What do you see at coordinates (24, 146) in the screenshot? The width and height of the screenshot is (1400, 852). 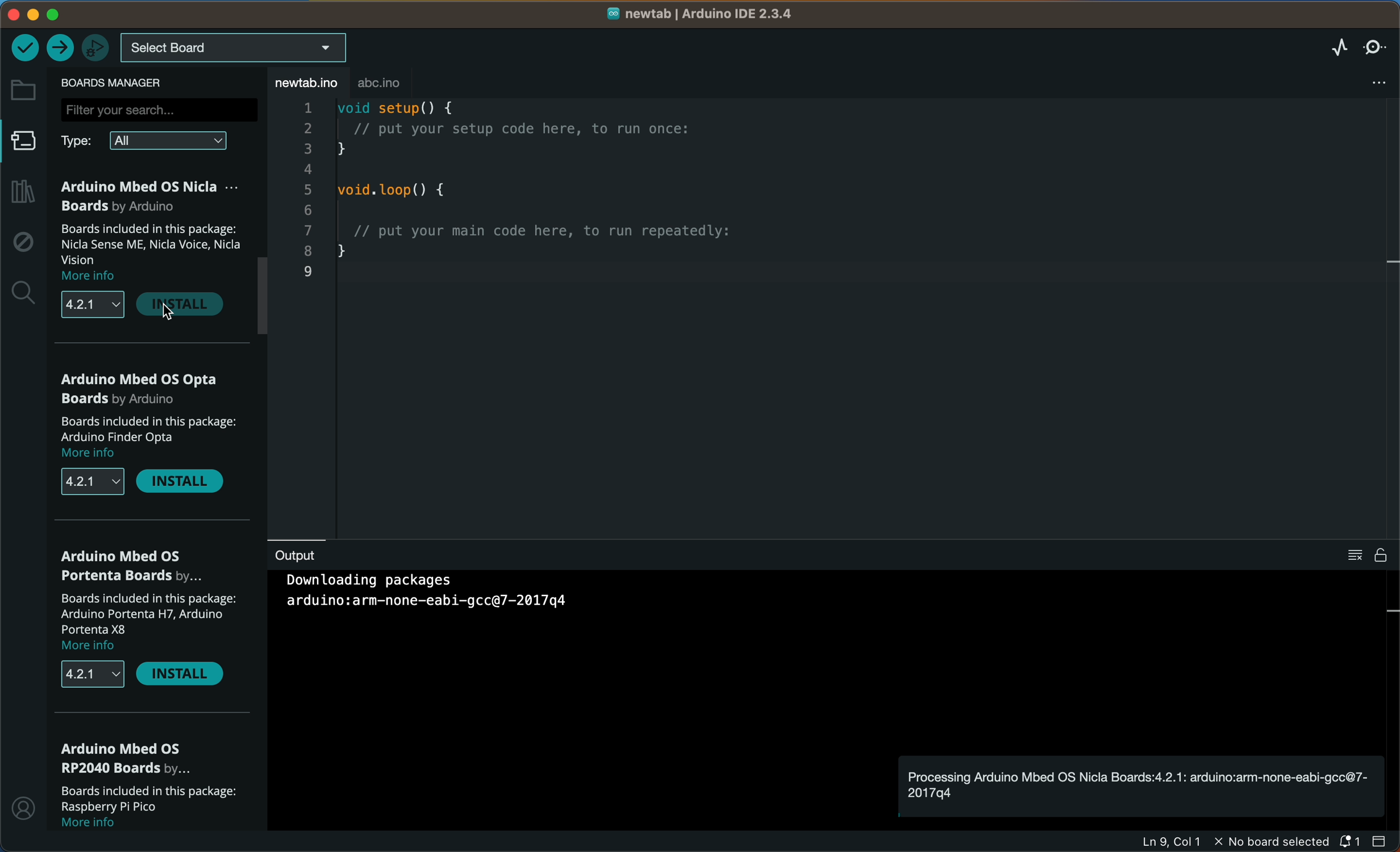 I see `board manager` at bounding box center [24, 146].